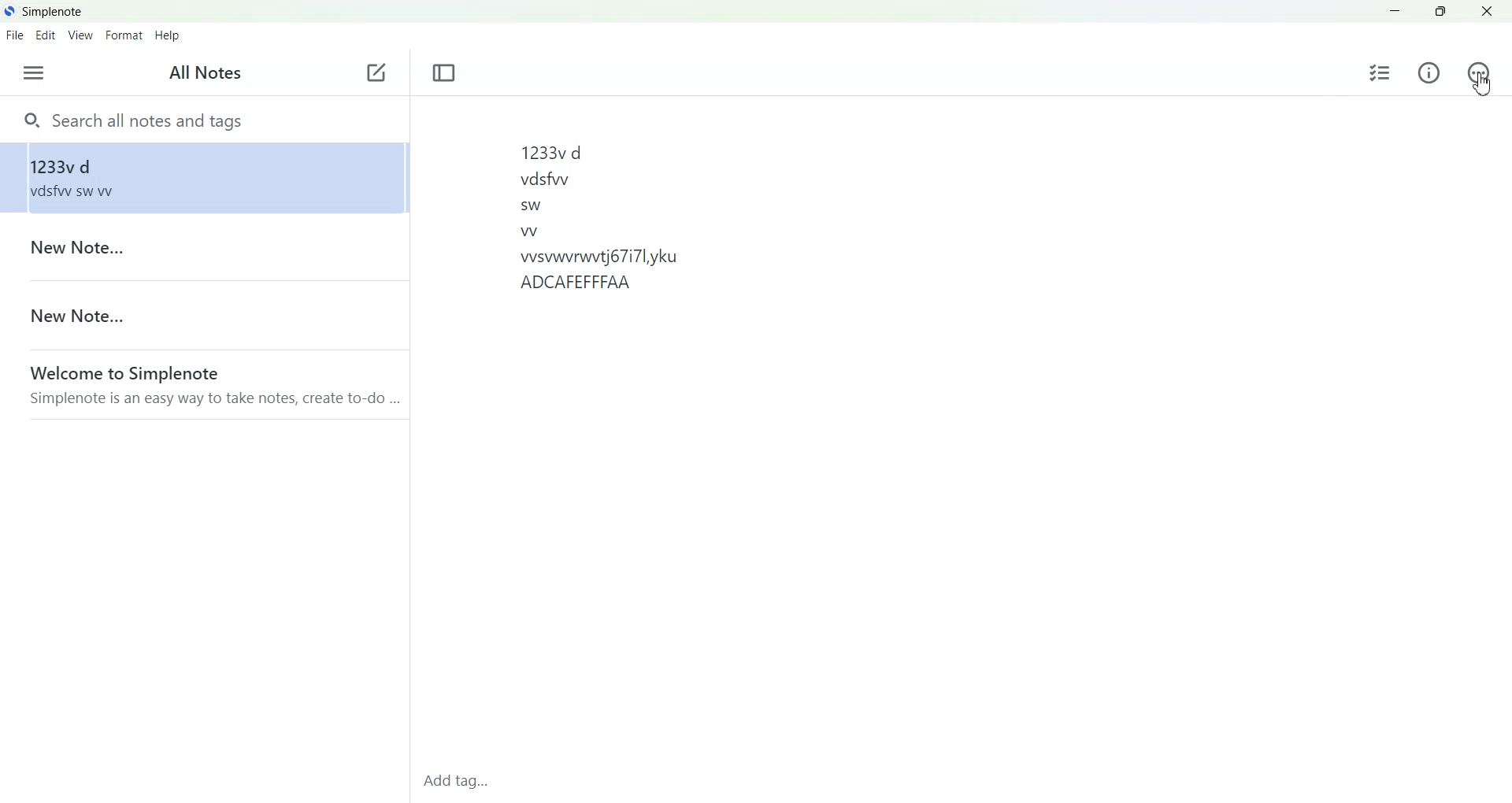  I want to click on Insert Checklist, so click(1380, 73).